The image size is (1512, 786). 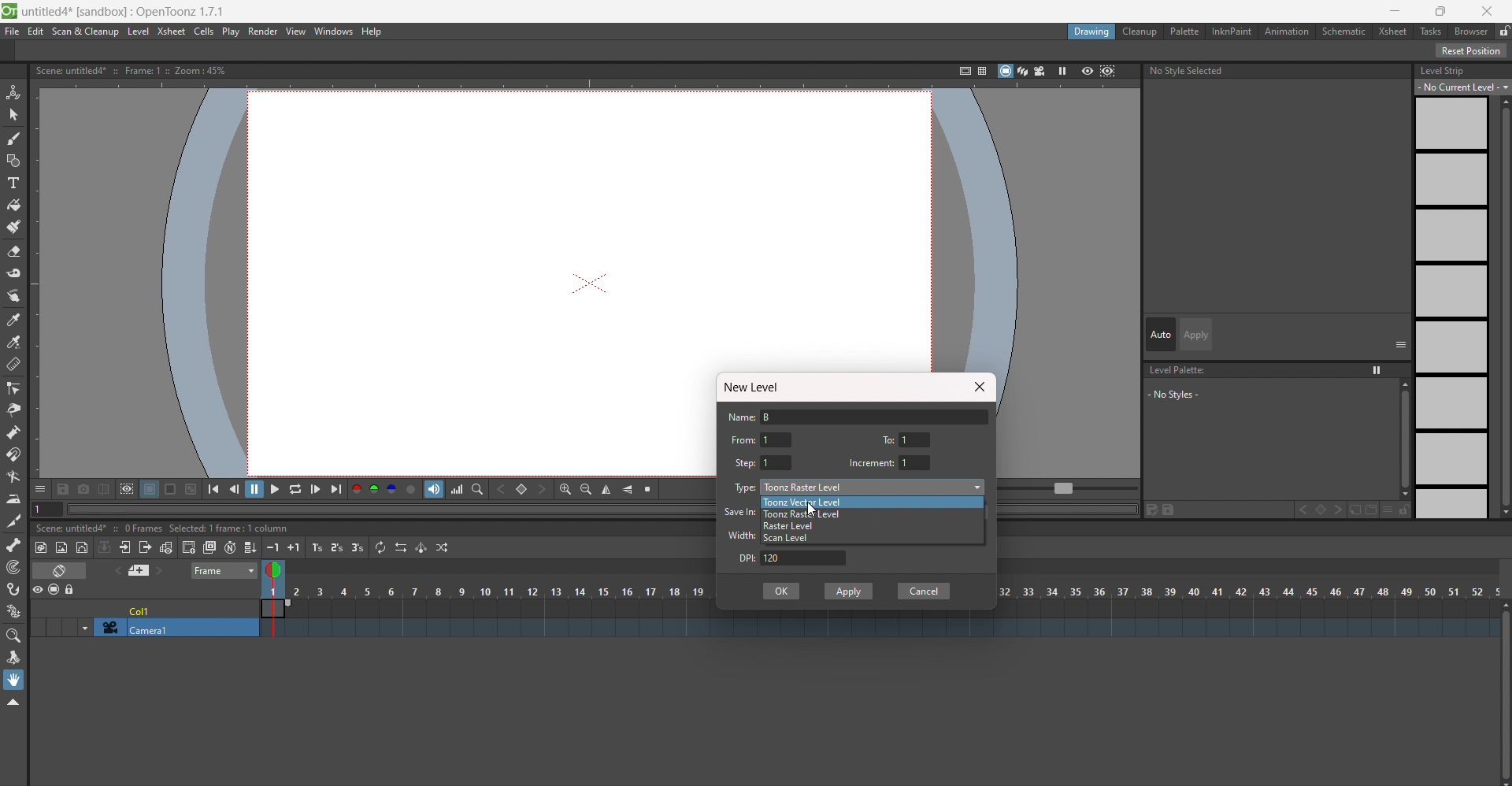 I want to click on , so click(x=61, y=570).